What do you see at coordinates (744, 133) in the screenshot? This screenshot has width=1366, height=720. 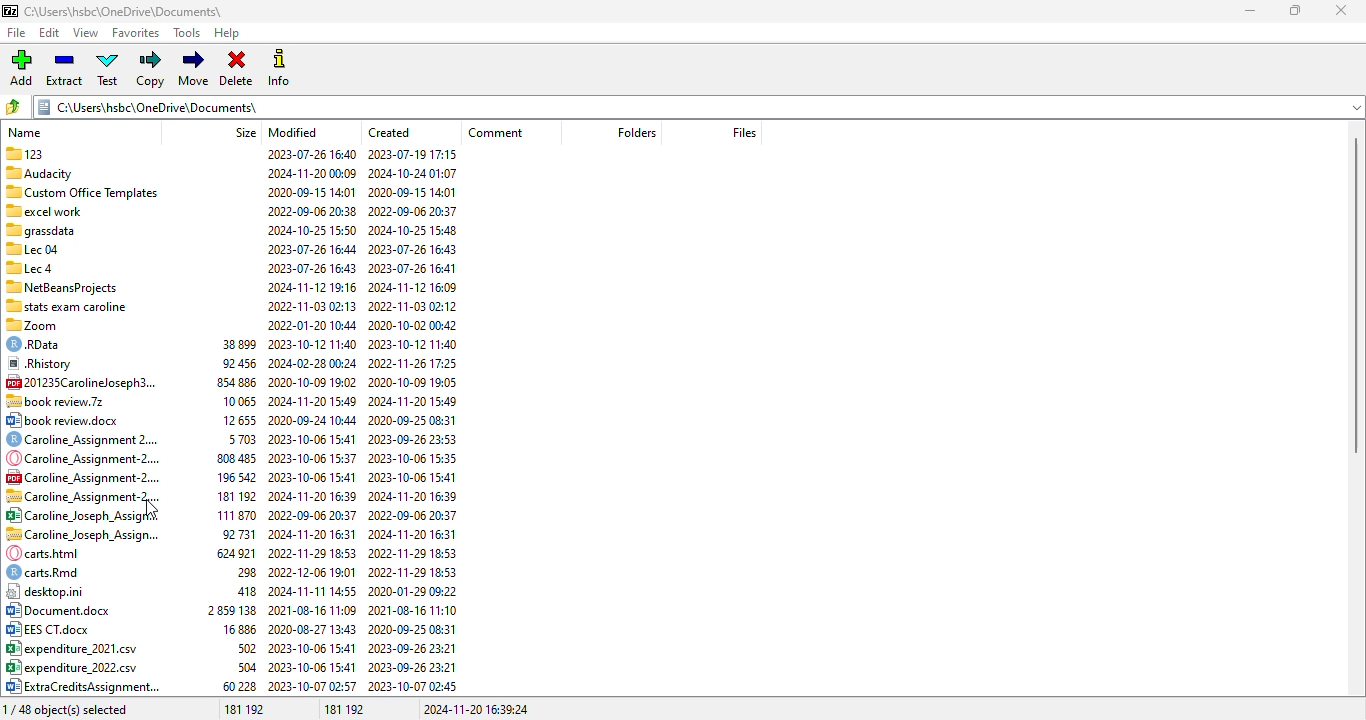 I see `files` at bounding box center [744, 133].